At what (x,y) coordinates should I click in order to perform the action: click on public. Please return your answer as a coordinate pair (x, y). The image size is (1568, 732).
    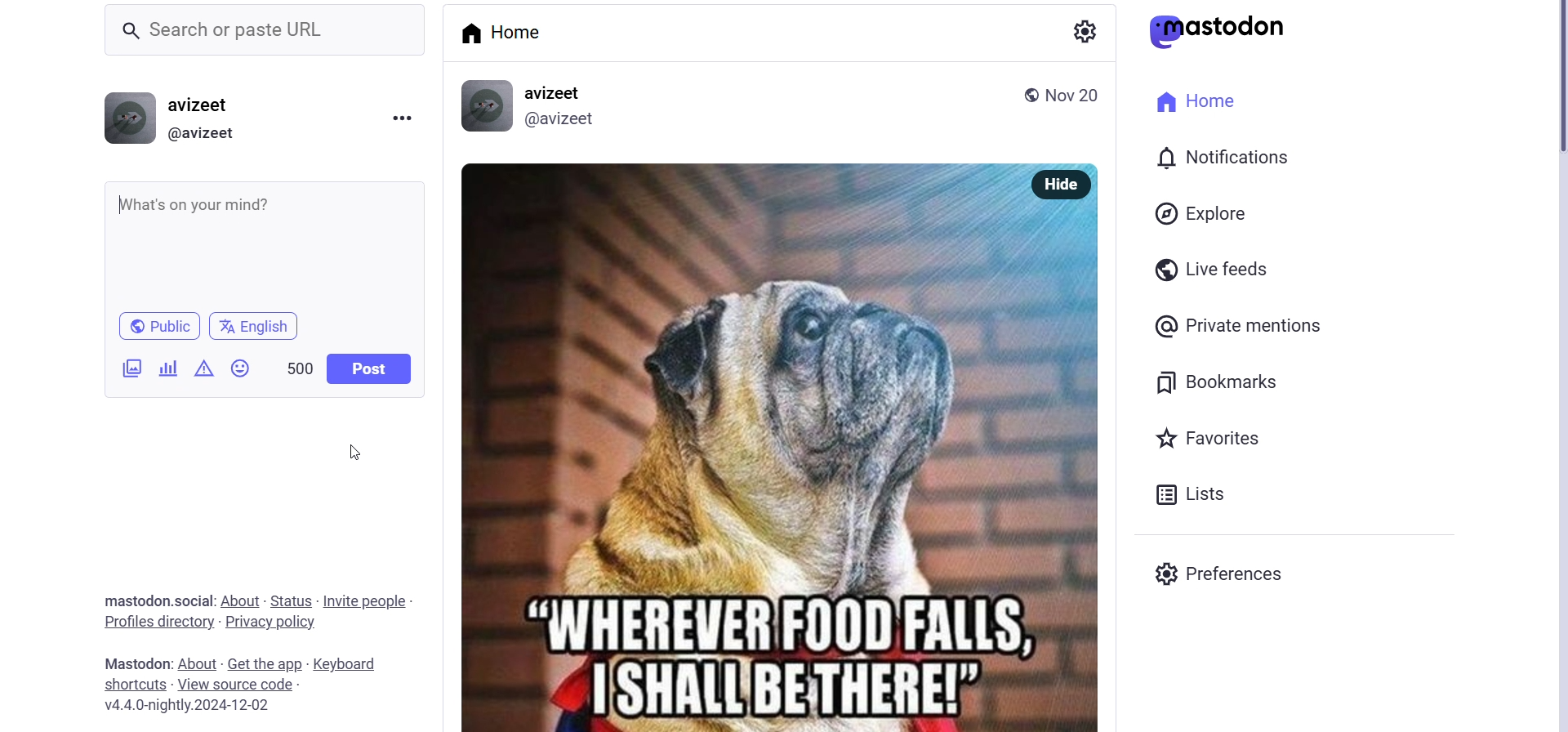
    Looking at the image, I should click on (158, 324).